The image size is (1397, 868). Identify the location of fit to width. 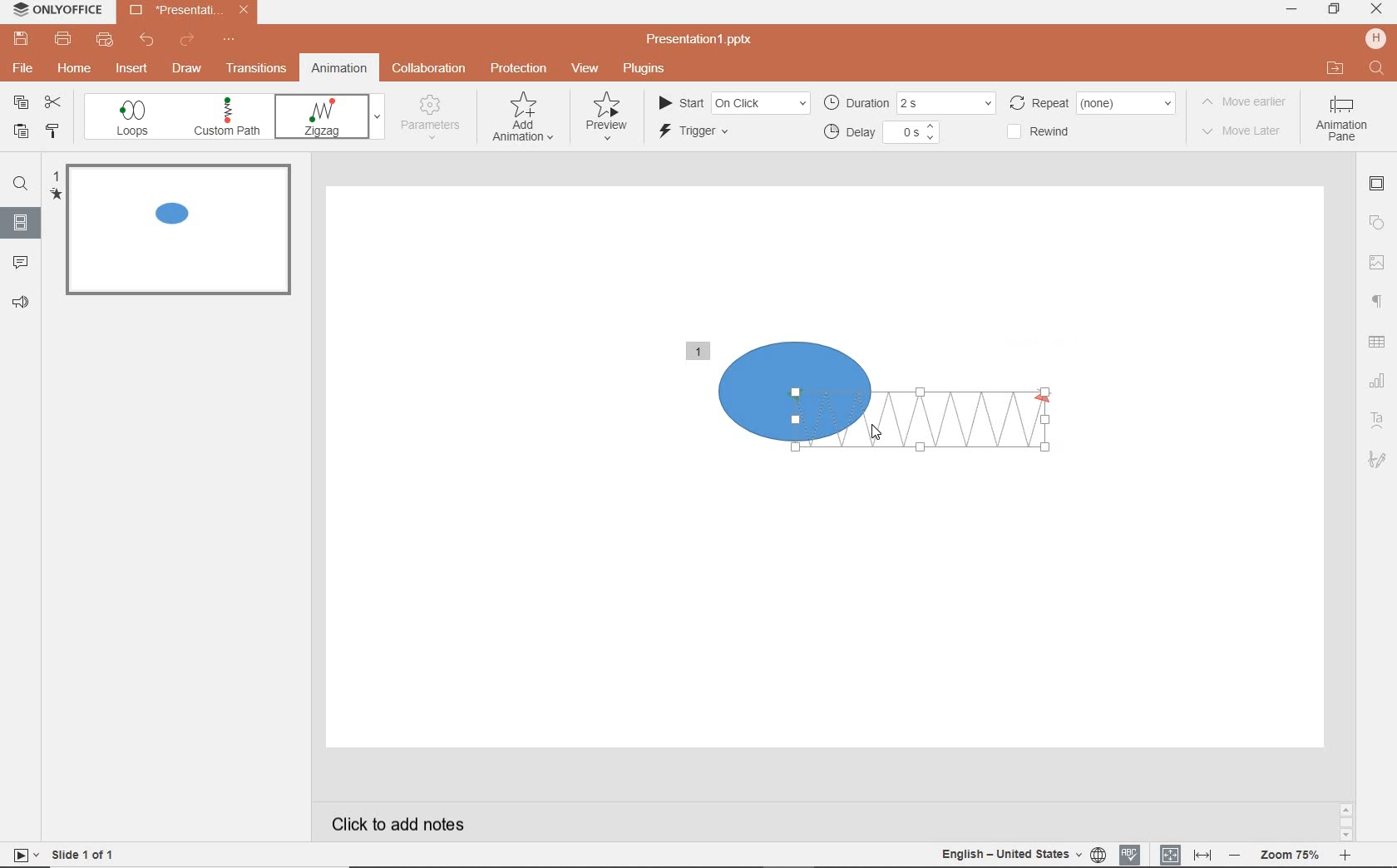
(1204, 853).